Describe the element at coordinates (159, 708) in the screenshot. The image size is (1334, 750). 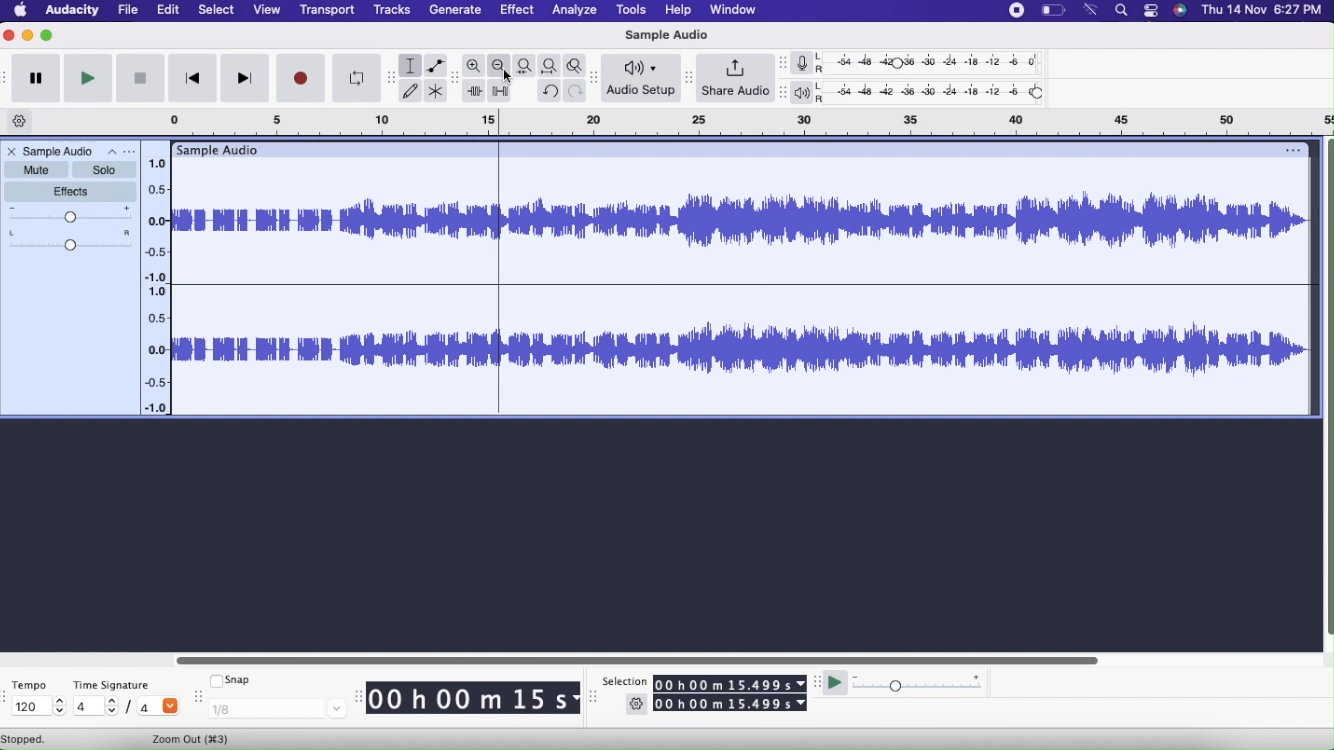
I see `4` at that location.